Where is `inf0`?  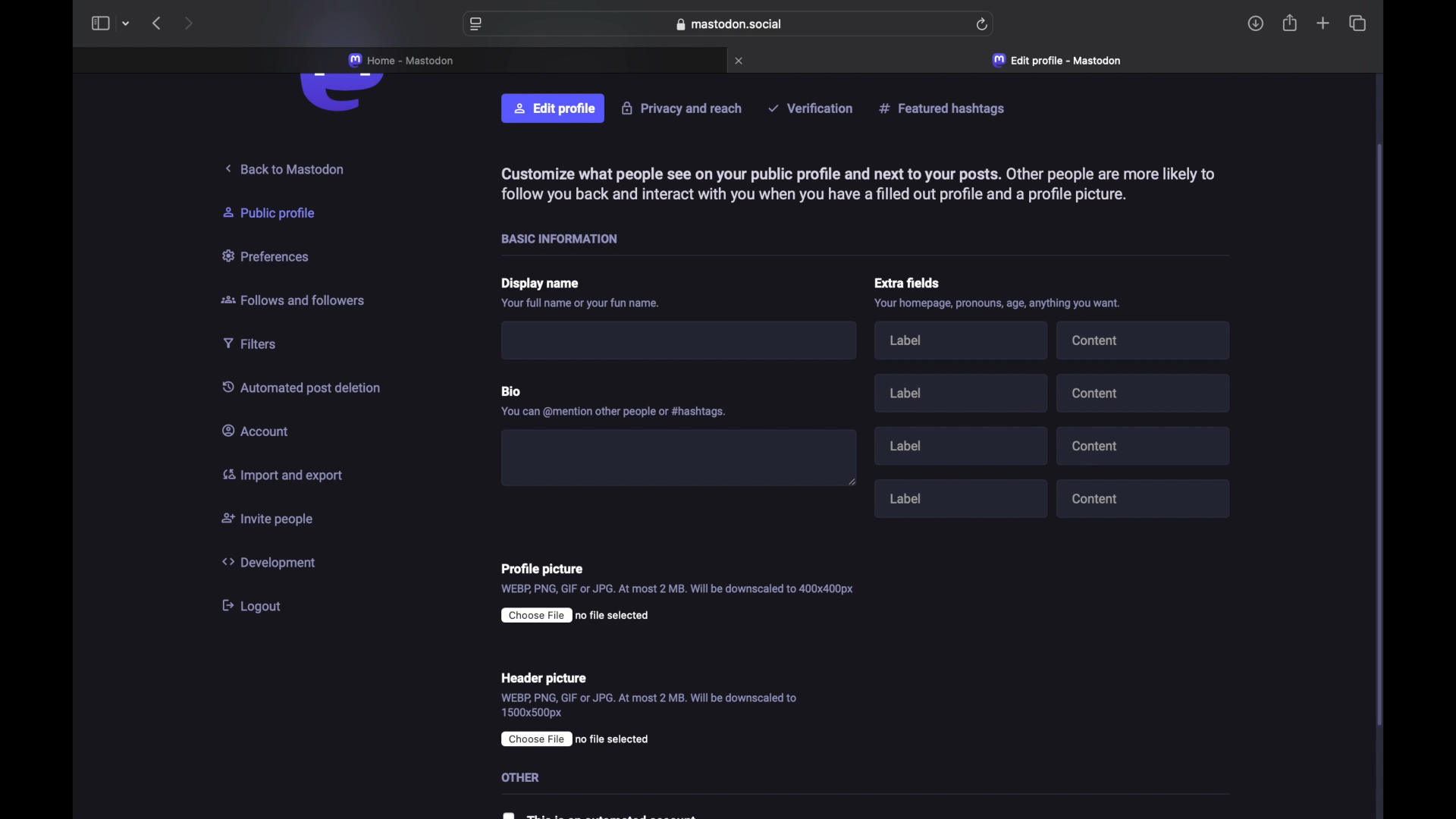 inf0 is located at coordinates (993, 303).